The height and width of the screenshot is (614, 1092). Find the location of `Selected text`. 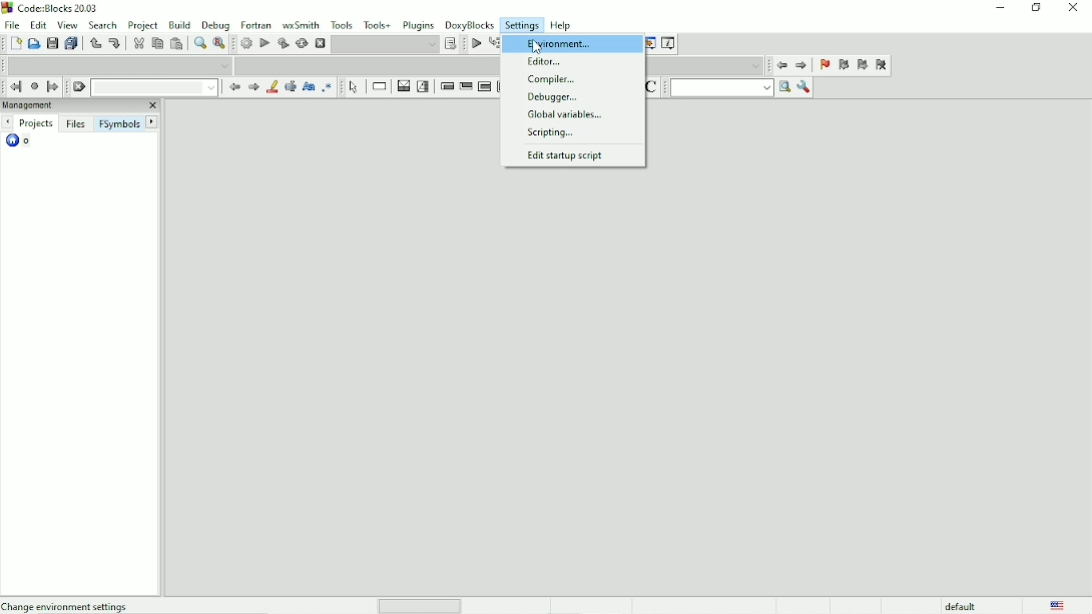

Selected text is located at coordinates (289, 87).